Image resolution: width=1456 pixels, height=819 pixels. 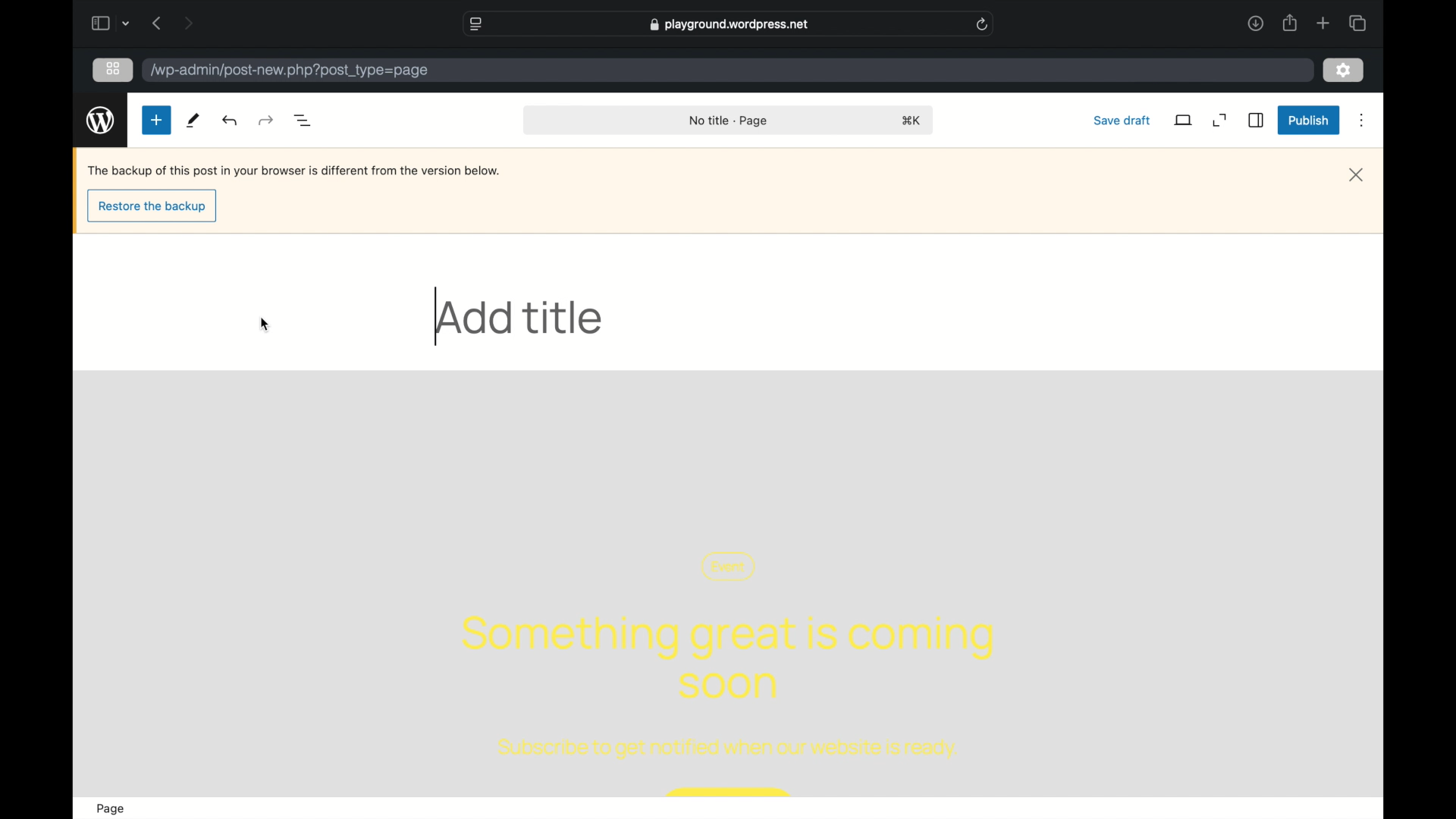 I want to click on downloads, so click(x=1255, y=23).